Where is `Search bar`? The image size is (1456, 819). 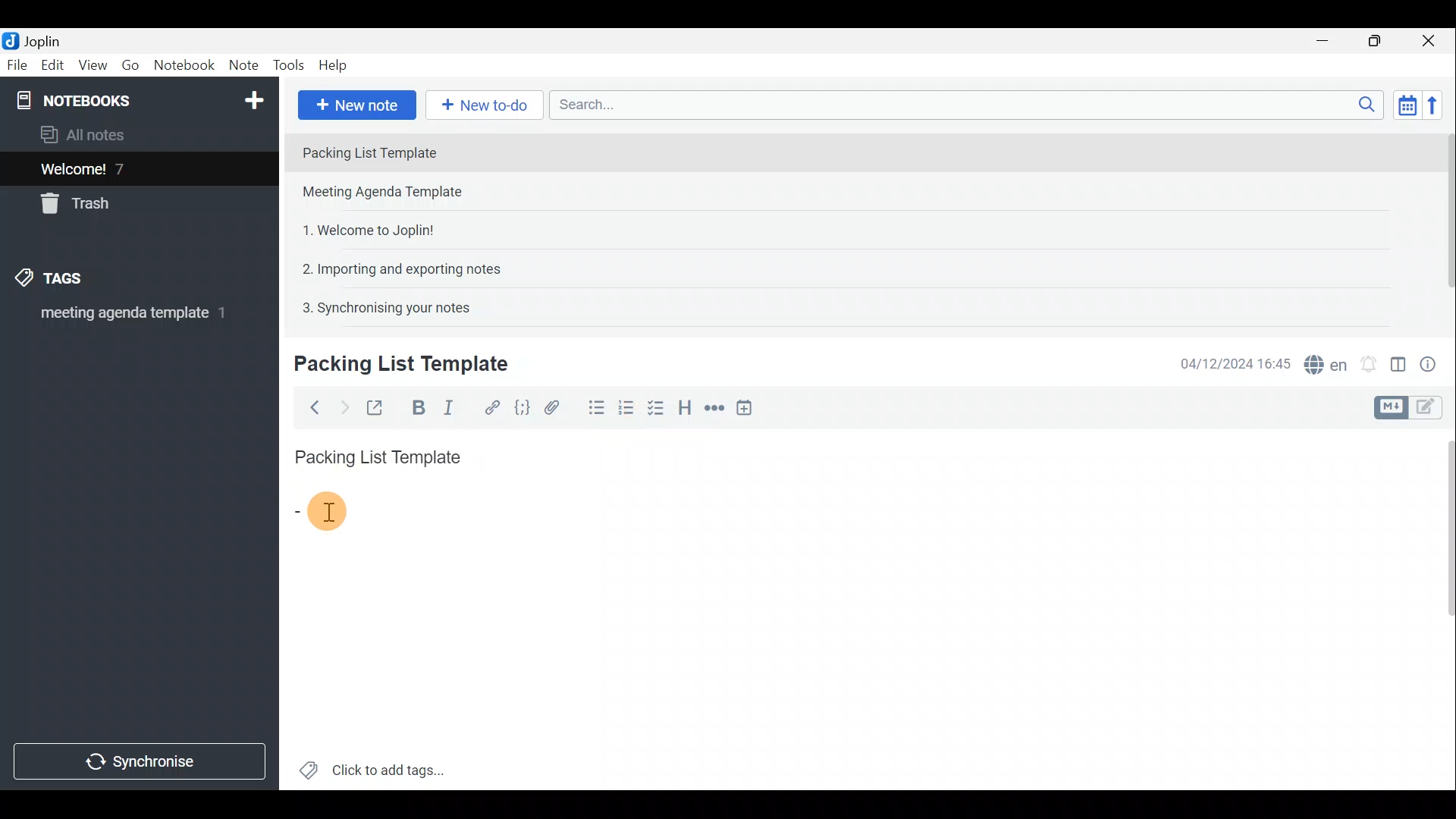
Search bar is located at coordinates (962, 106).